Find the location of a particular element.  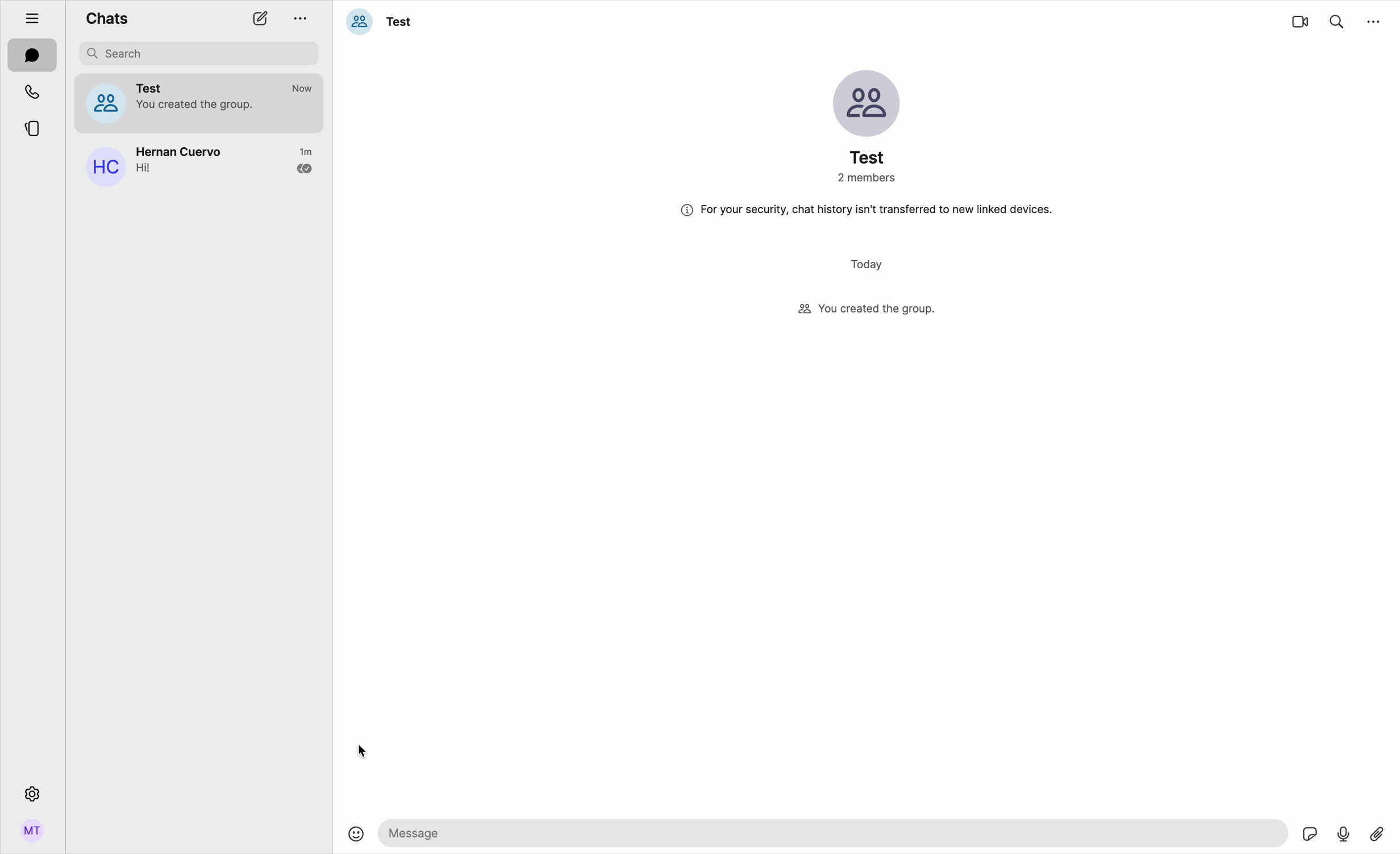

today is located at coordinates (868, 264).